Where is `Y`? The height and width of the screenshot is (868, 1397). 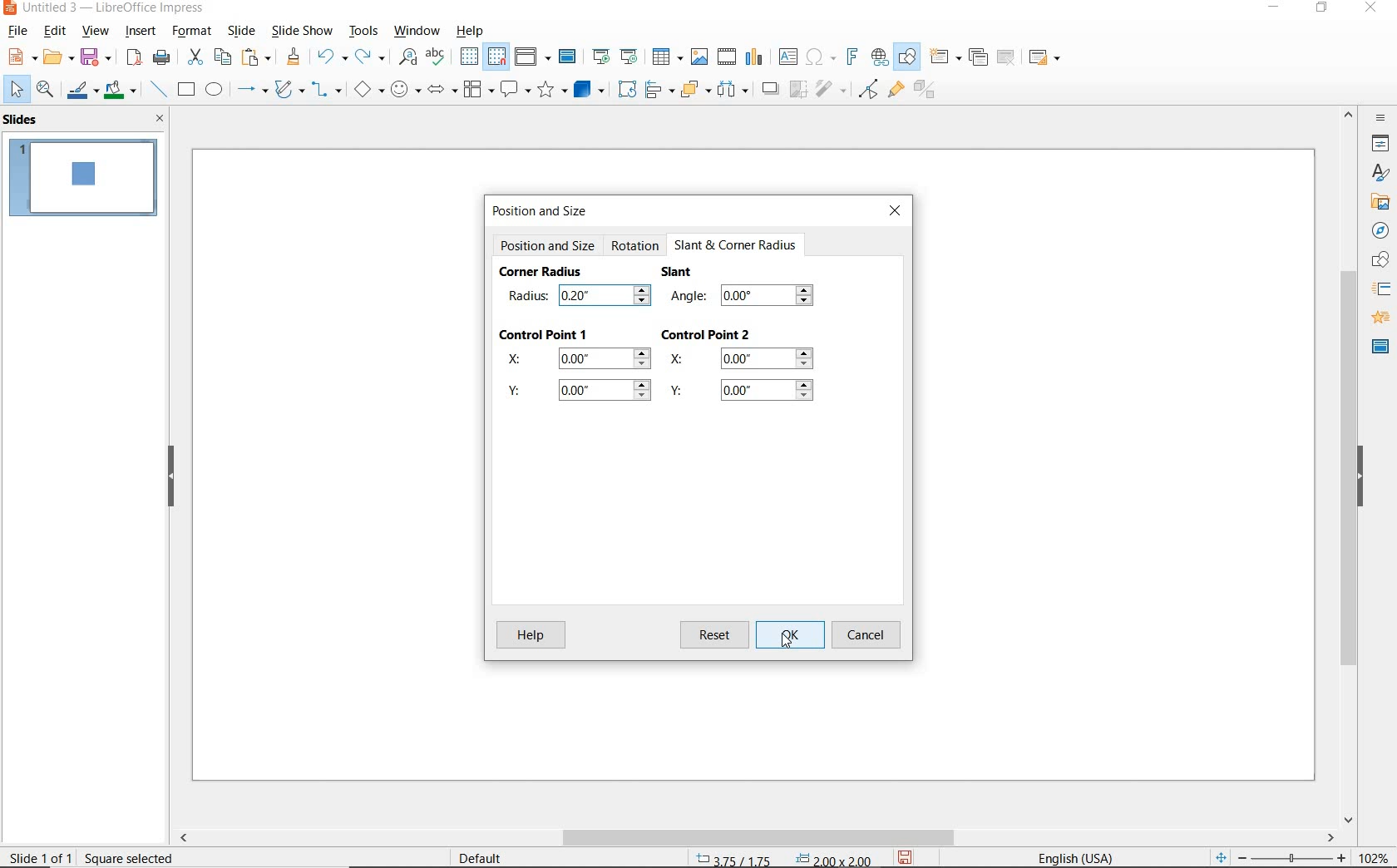 Y is located at coordinates (744, 392).